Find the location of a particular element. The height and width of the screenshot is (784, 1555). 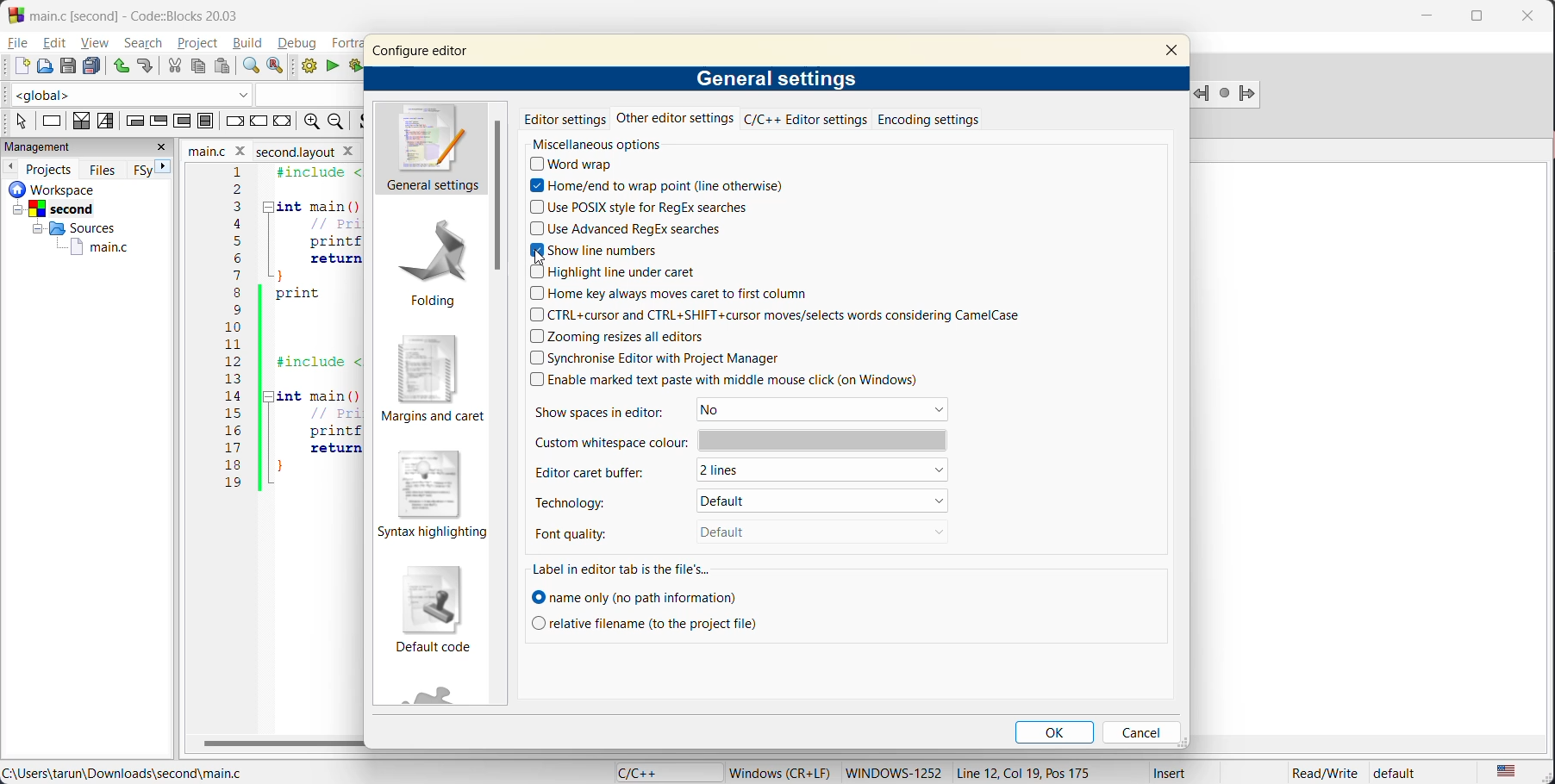

cut is located at coordinates (172, 65).